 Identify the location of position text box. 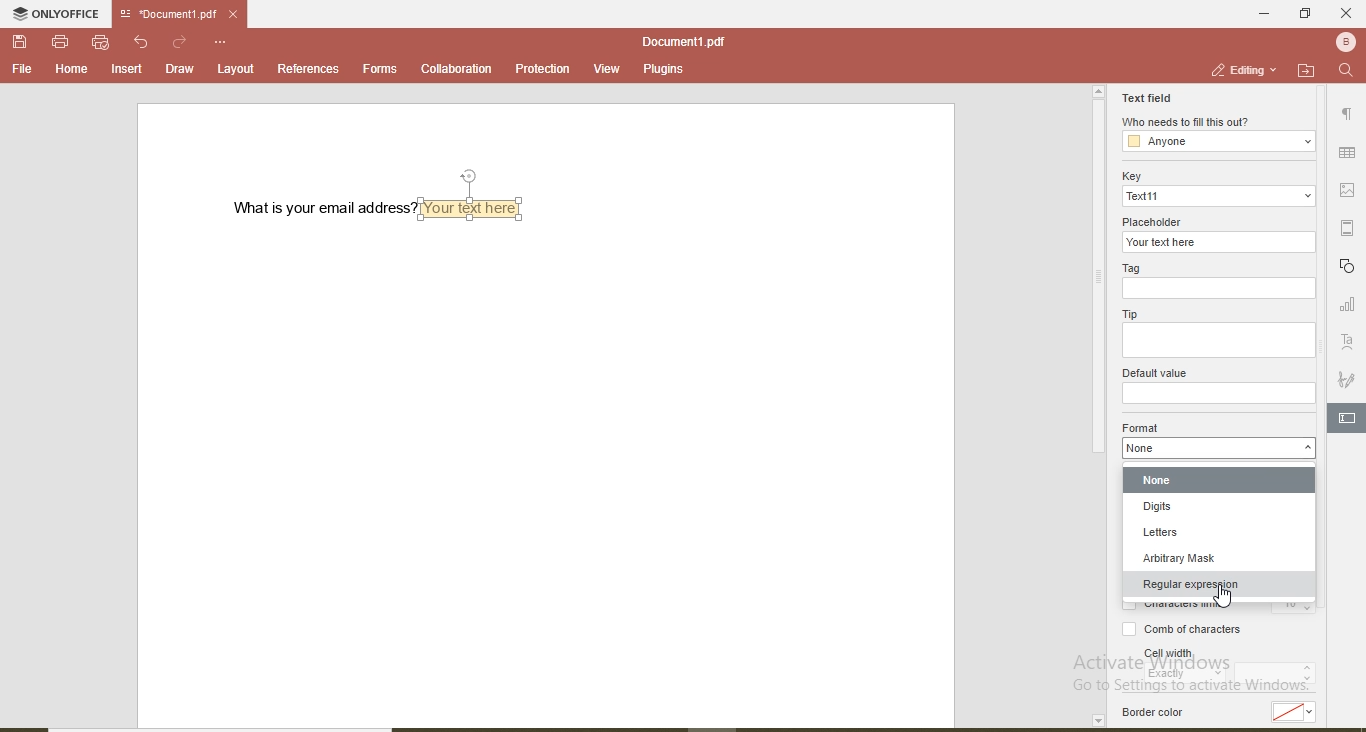
(473, 175).